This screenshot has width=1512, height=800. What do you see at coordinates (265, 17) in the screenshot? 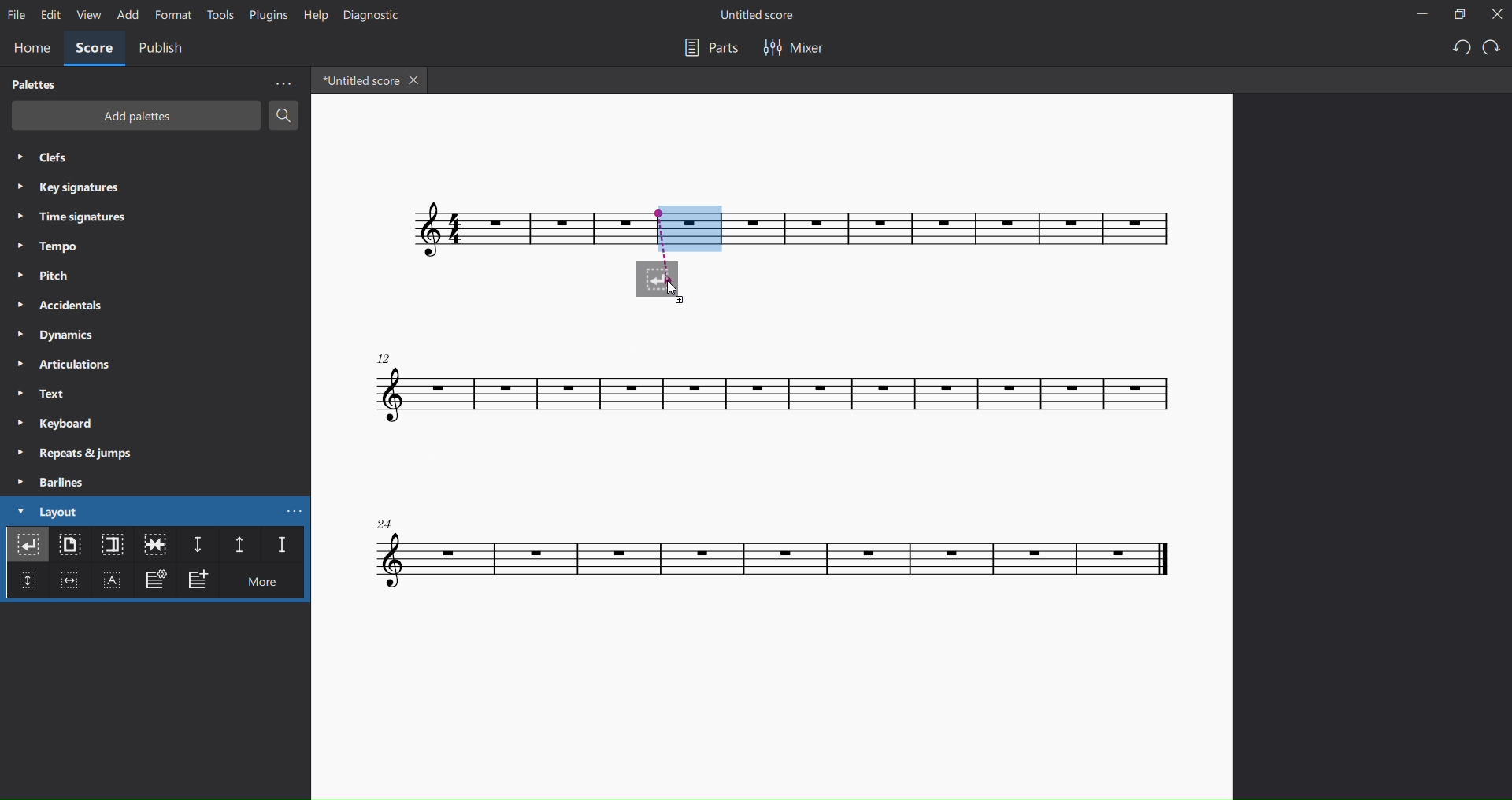
I see `plugins` at bounding box center [265, 17].